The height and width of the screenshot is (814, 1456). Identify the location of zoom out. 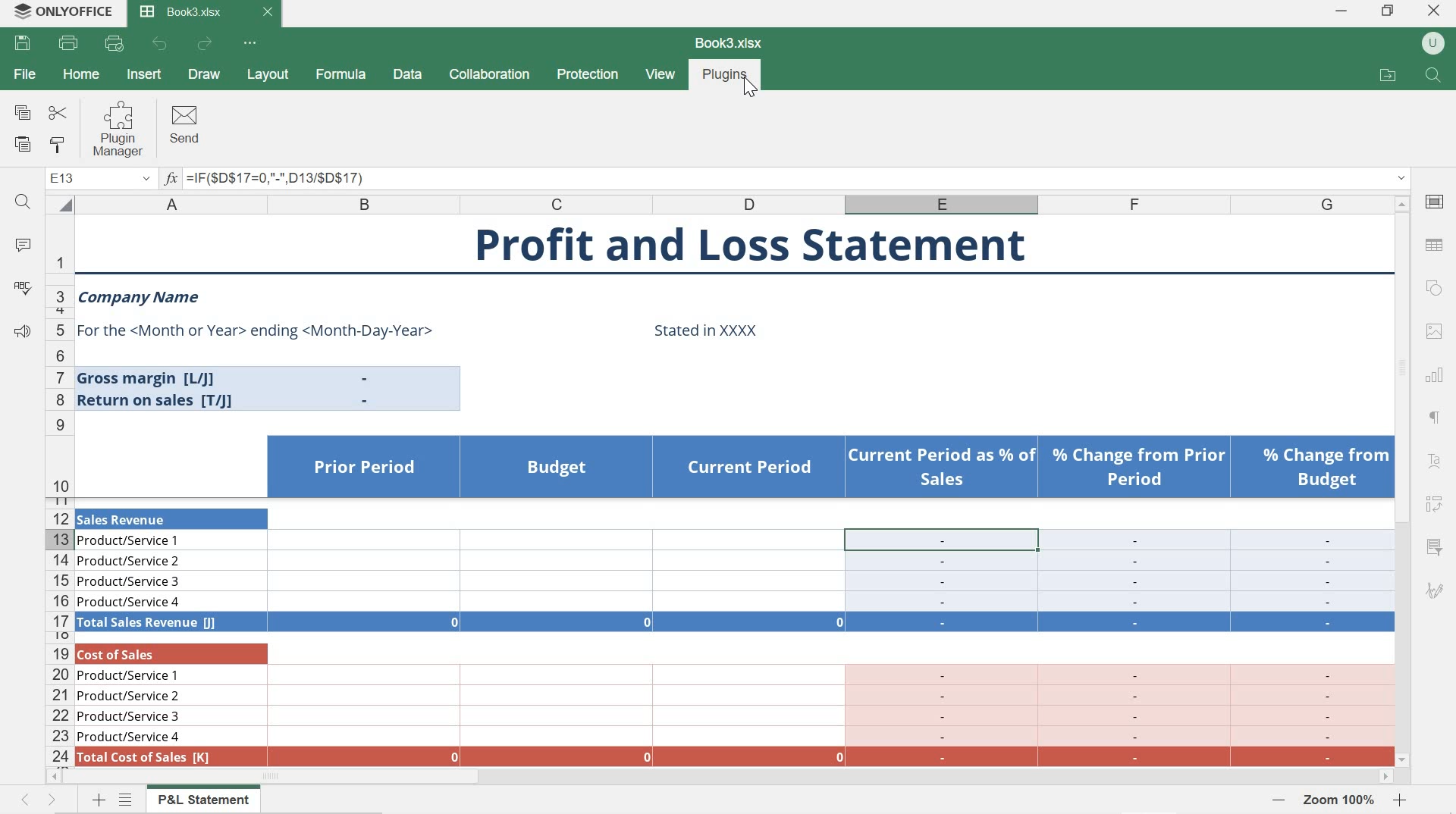
(1280, 799).